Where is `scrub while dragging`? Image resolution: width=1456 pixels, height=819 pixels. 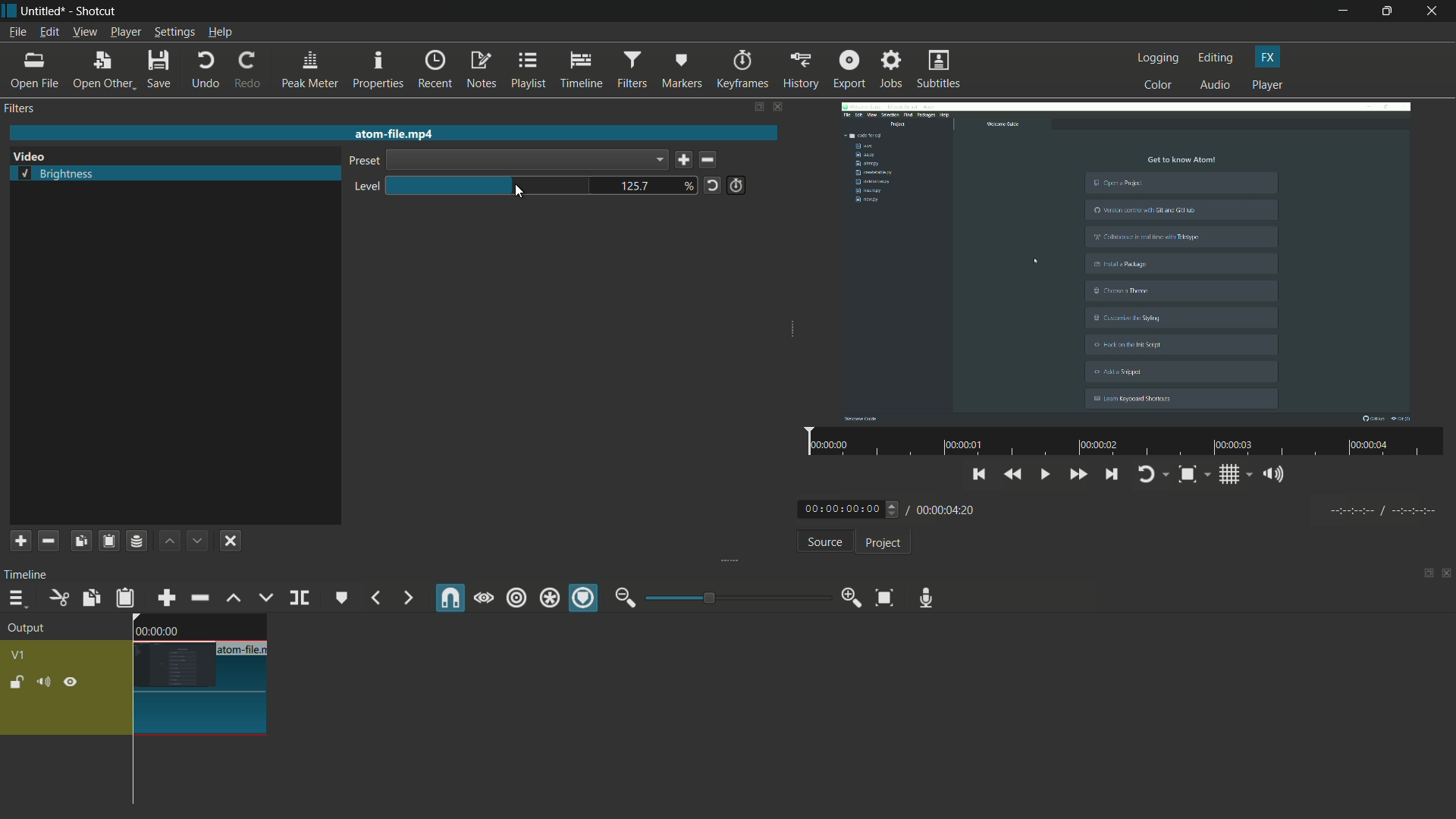 scrub while dragging is located at coordinates (483, 598).